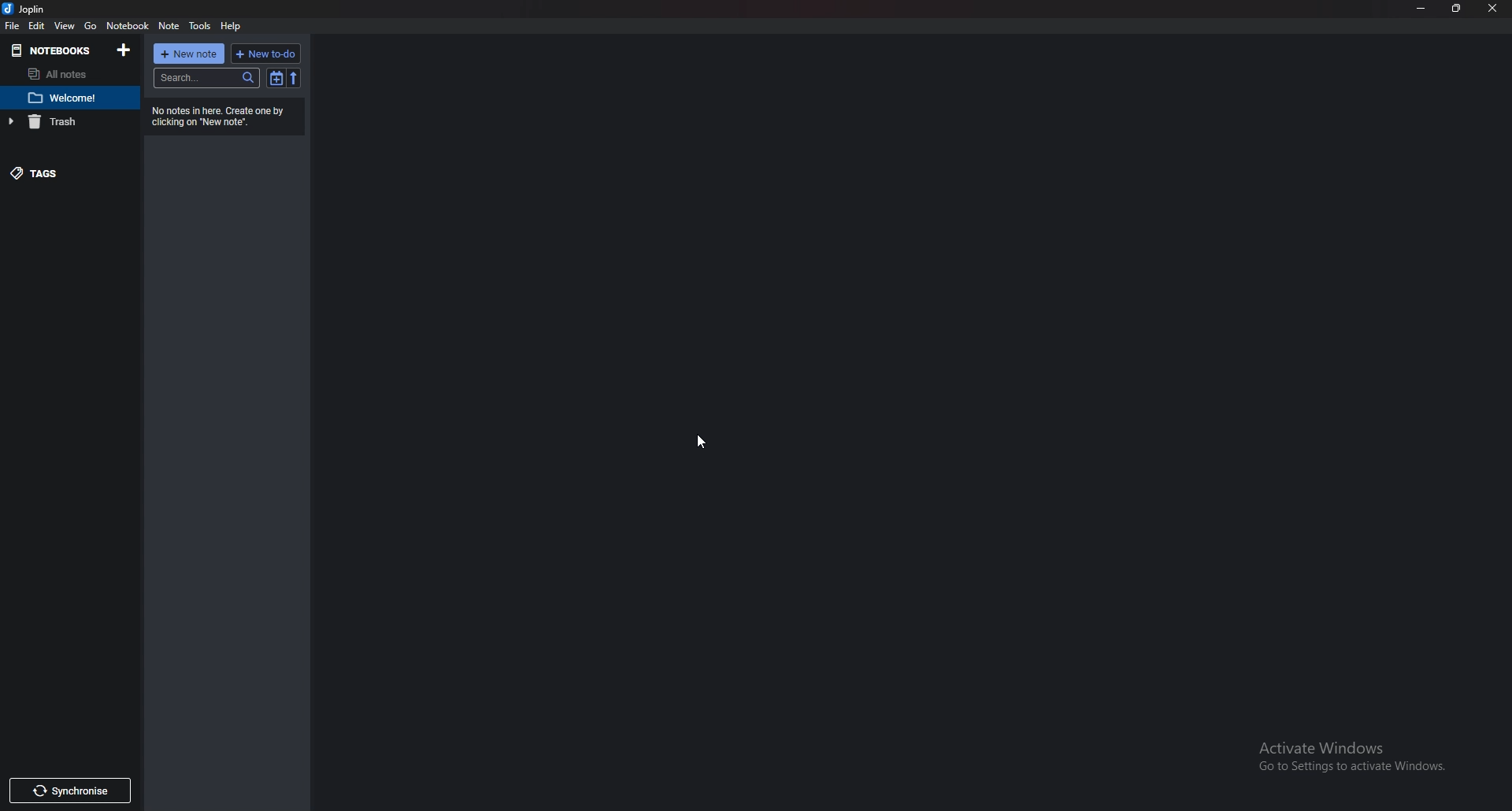 Image resolution: width=1512 pixels, height=811 pixels. I want to click on trash, so click(58, 121).